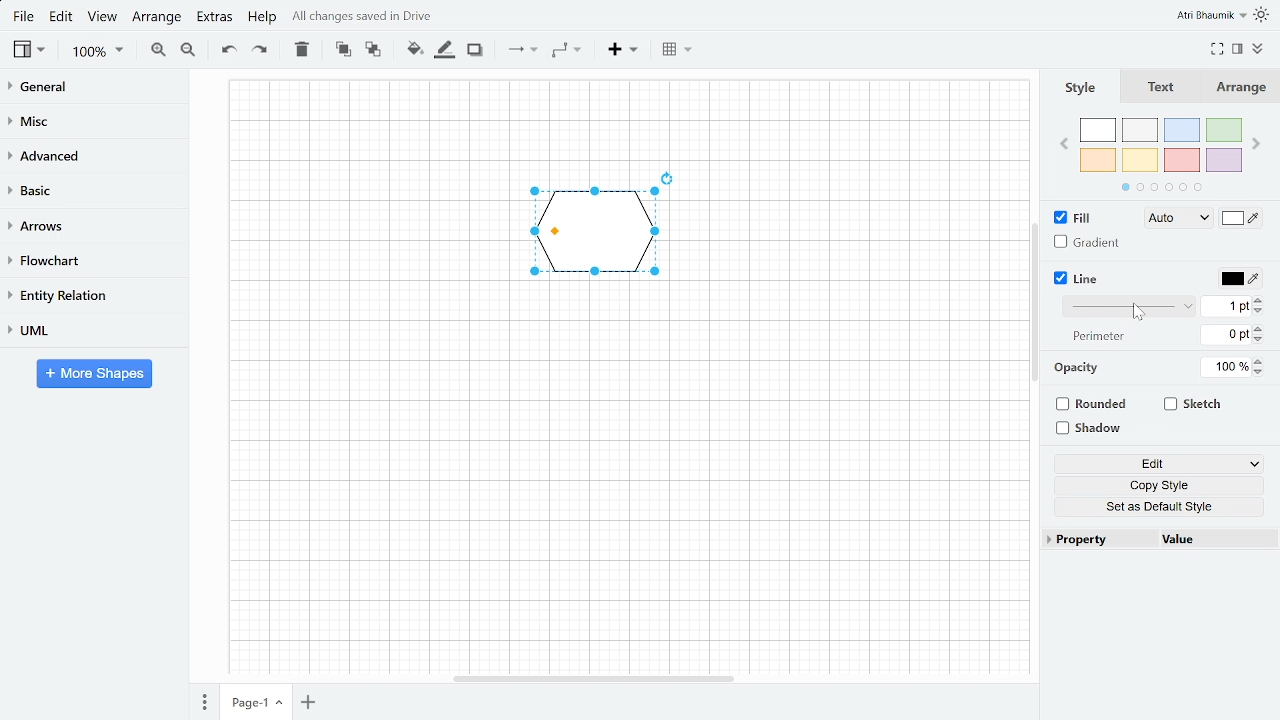 Image resolution: width=1280 pixels, height=720 pixels. Describe the element at coordinates (266, 17) in the screenshot. I see `Help` at that location.